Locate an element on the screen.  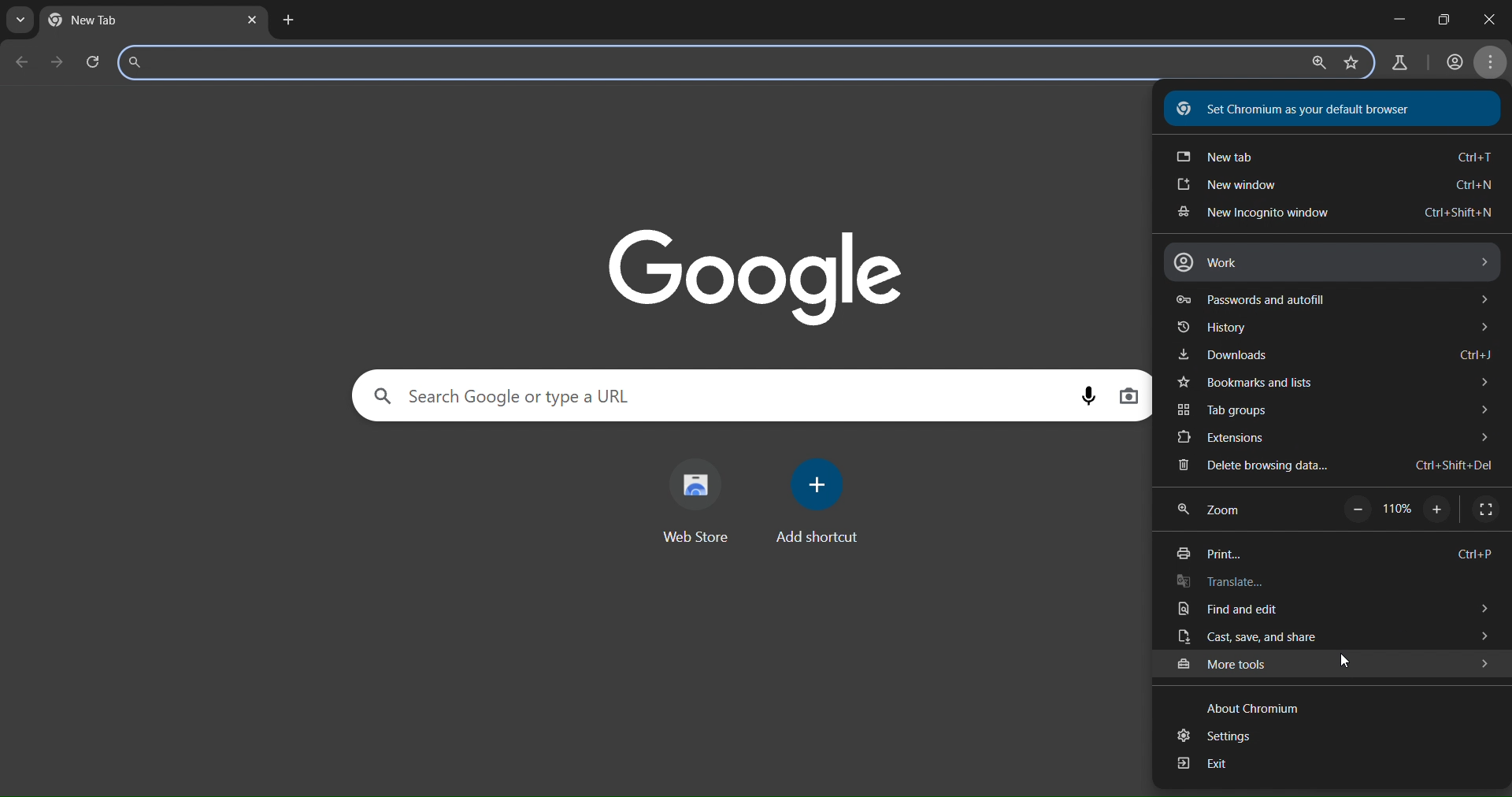
work is located at coordinates (1329, 261).